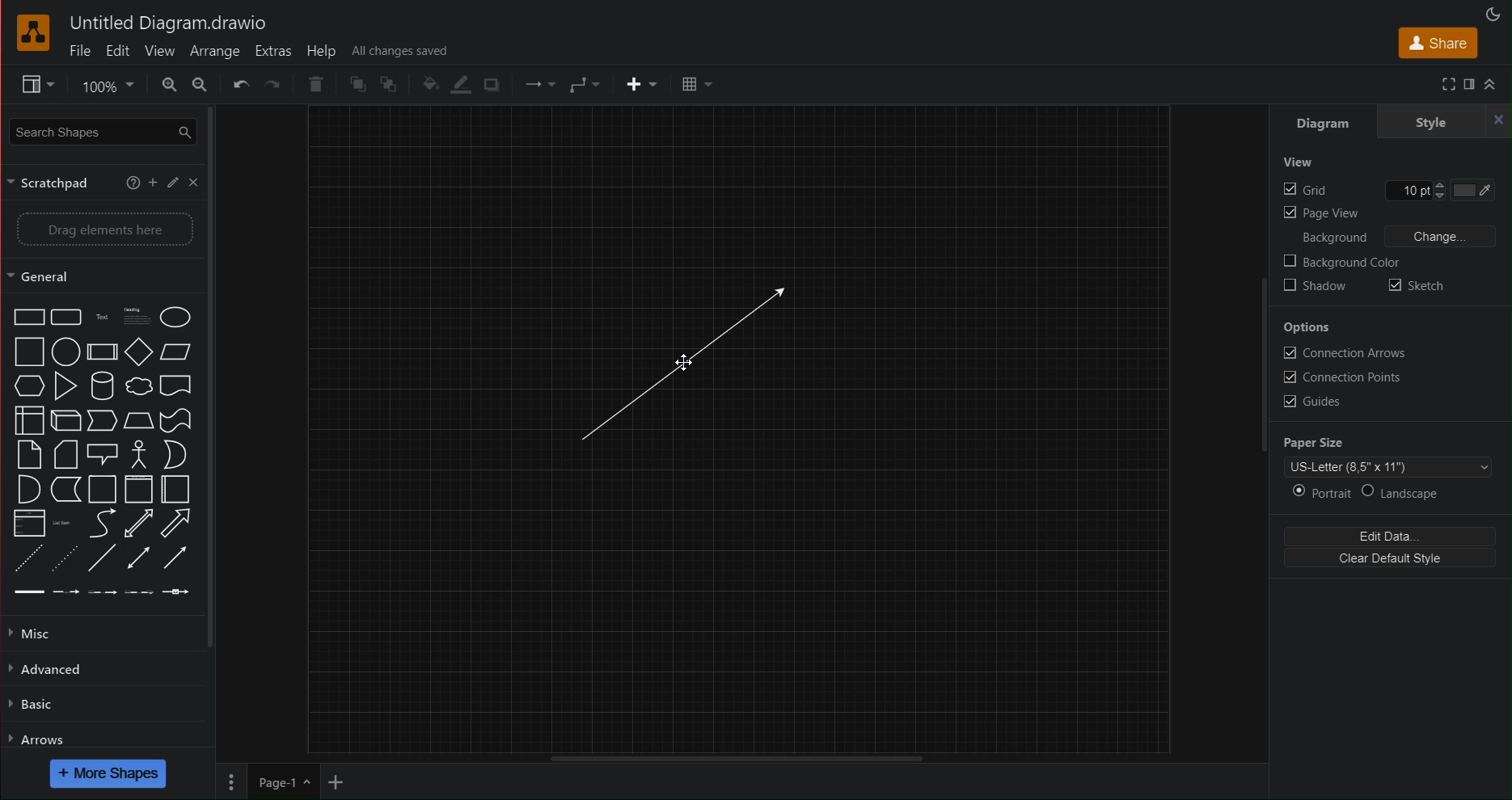  What do you see at coordinates (231, 781) in the screenshot?
I see `Pages` at bounding box center [231, 781].